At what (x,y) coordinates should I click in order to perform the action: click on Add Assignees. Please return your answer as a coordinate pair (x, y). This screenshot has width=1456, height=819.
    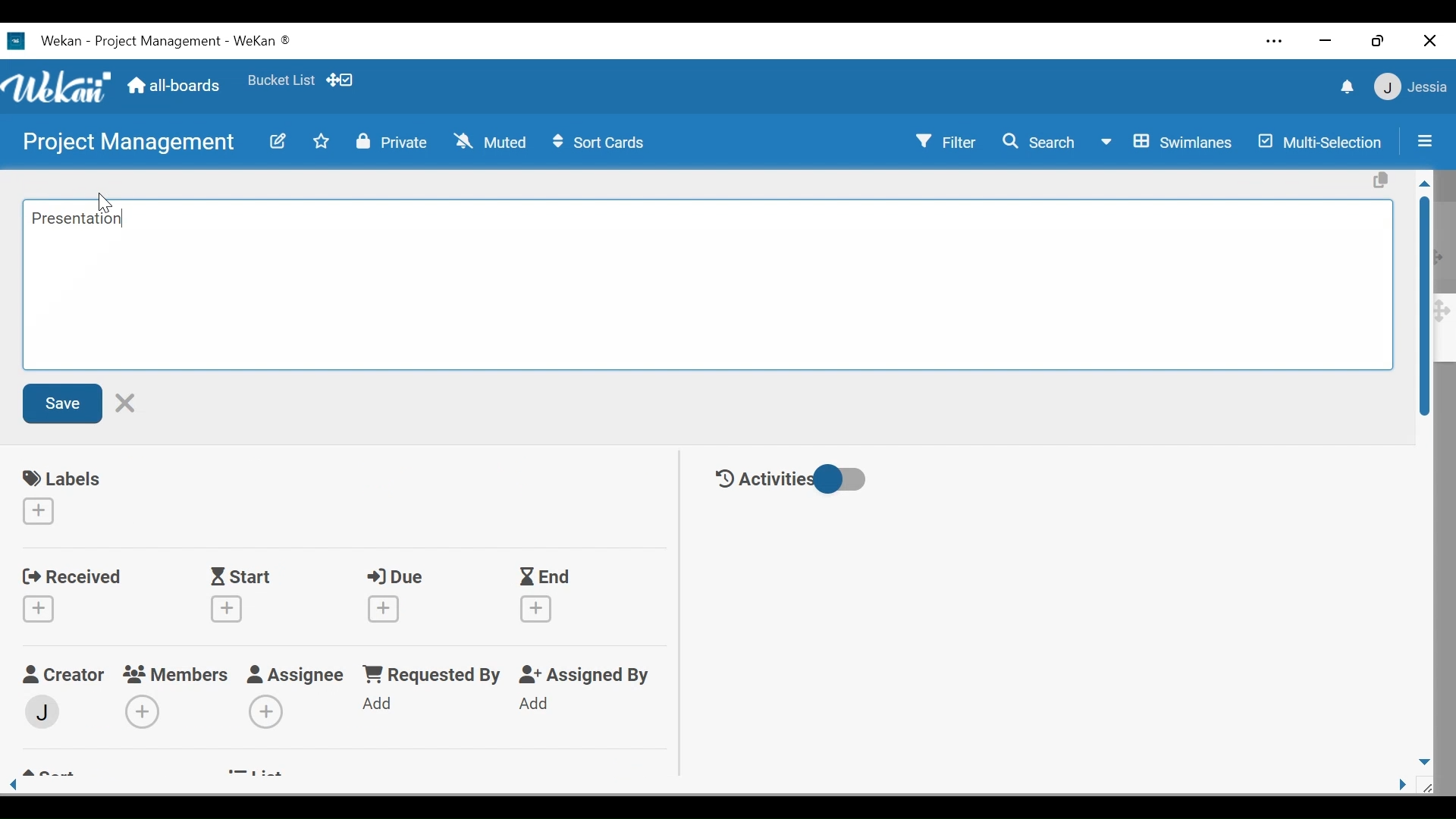
    Looking at the image, I should click on (268, 711).